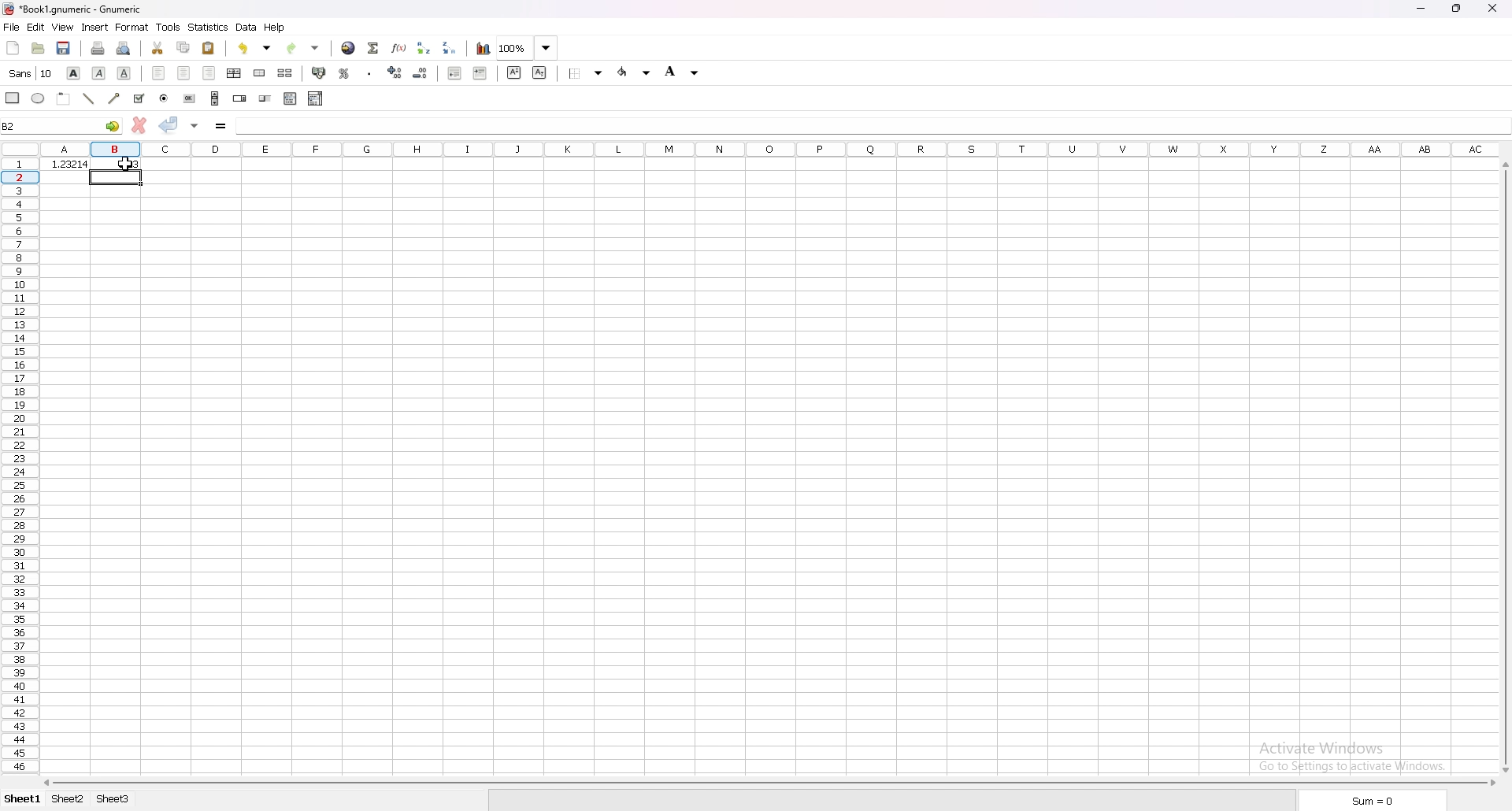  Describe the element at coordinates (64, 97) in the screenshot. I see `frame` at that location.